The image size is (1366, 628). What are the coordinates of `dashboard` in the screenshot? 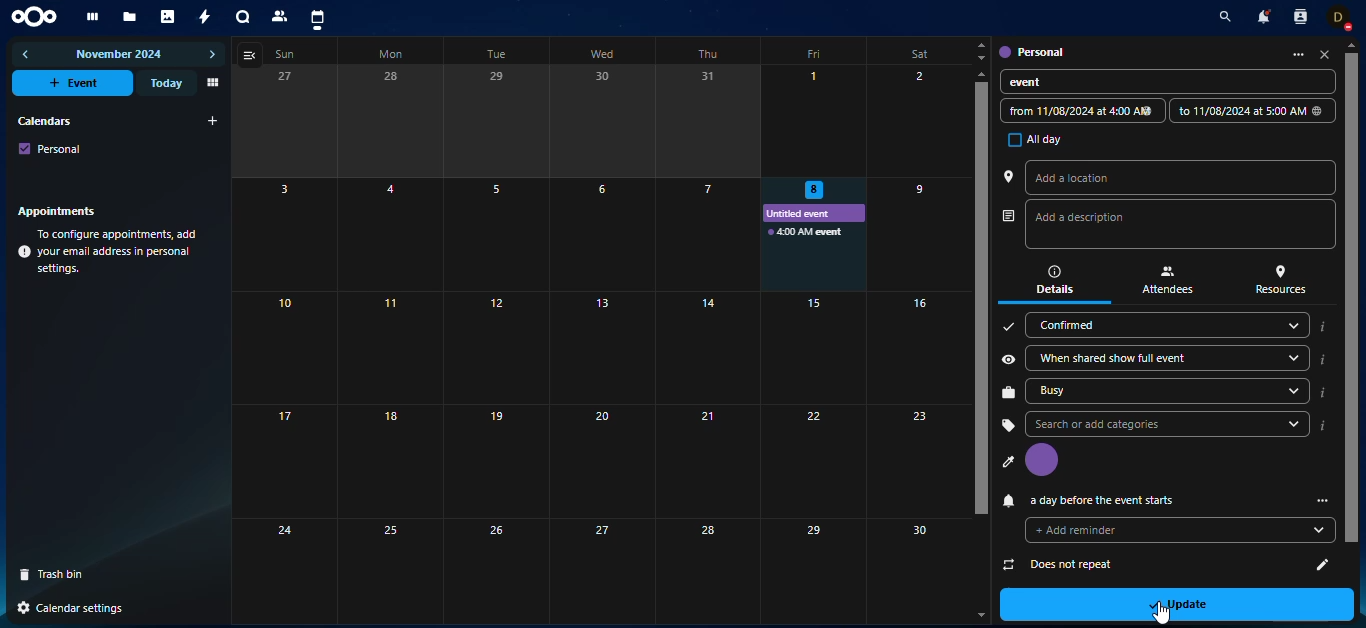 It's located at (90, 17).